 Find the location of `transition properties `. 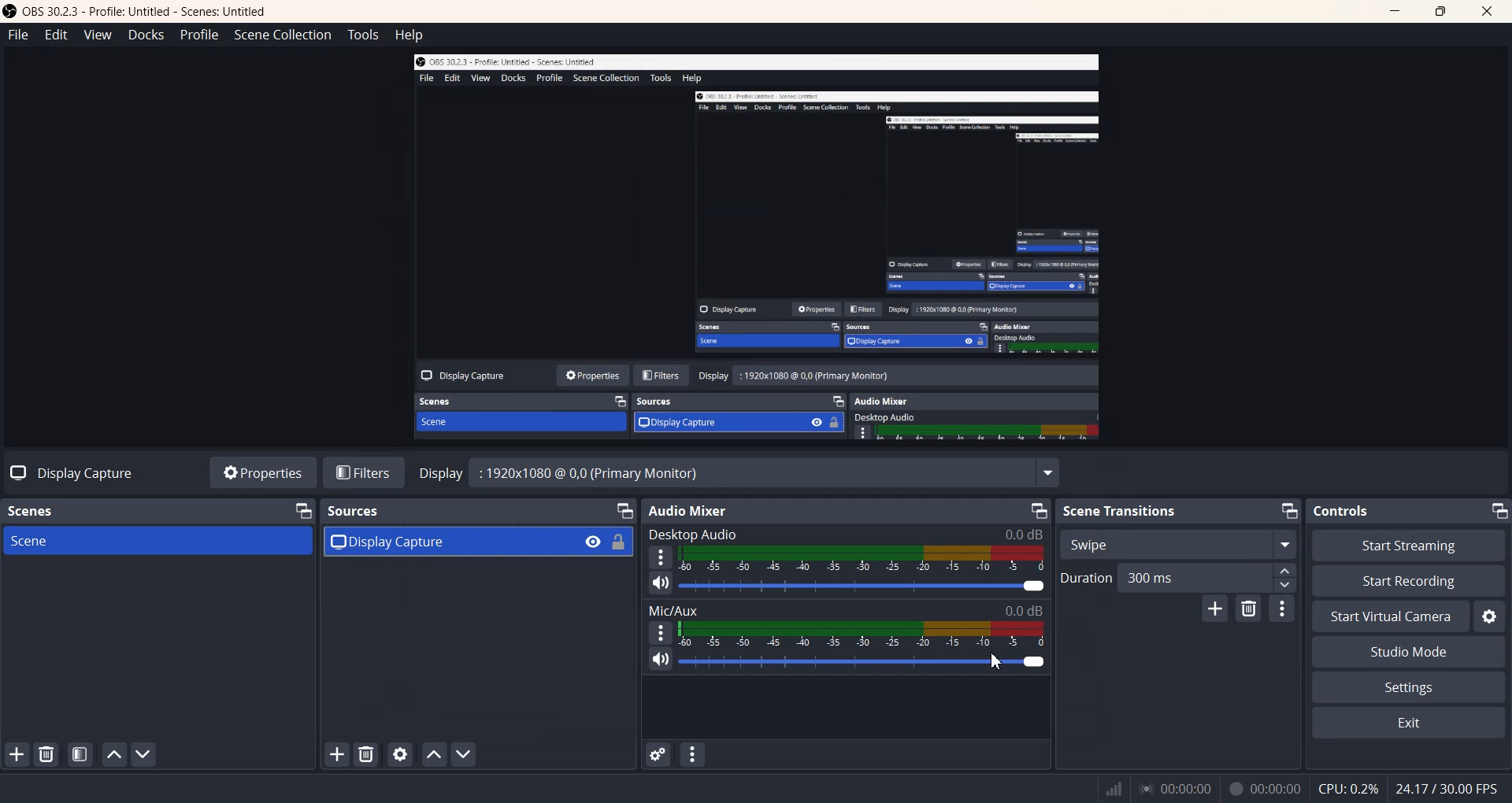

transition properties  is located at coordinates (1282, 609).